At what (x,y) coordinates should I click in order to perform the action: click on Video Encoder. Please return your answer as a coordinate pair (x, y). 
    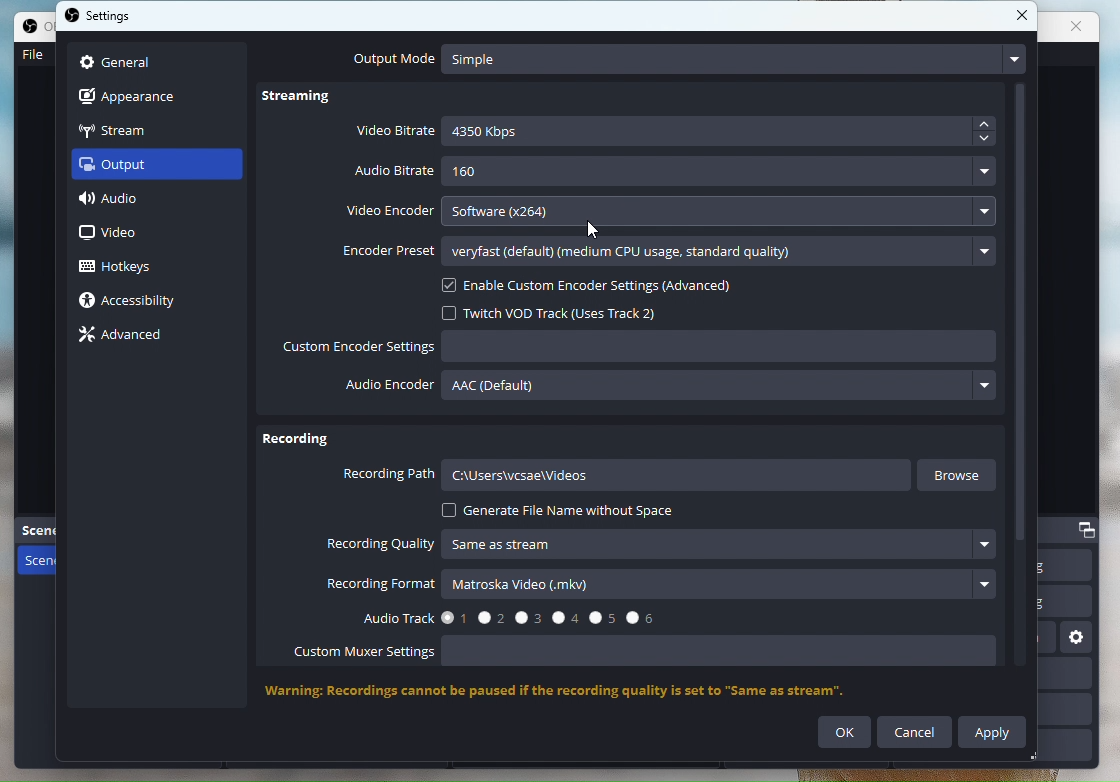
    Looking at the image, I should click on (677, 214).